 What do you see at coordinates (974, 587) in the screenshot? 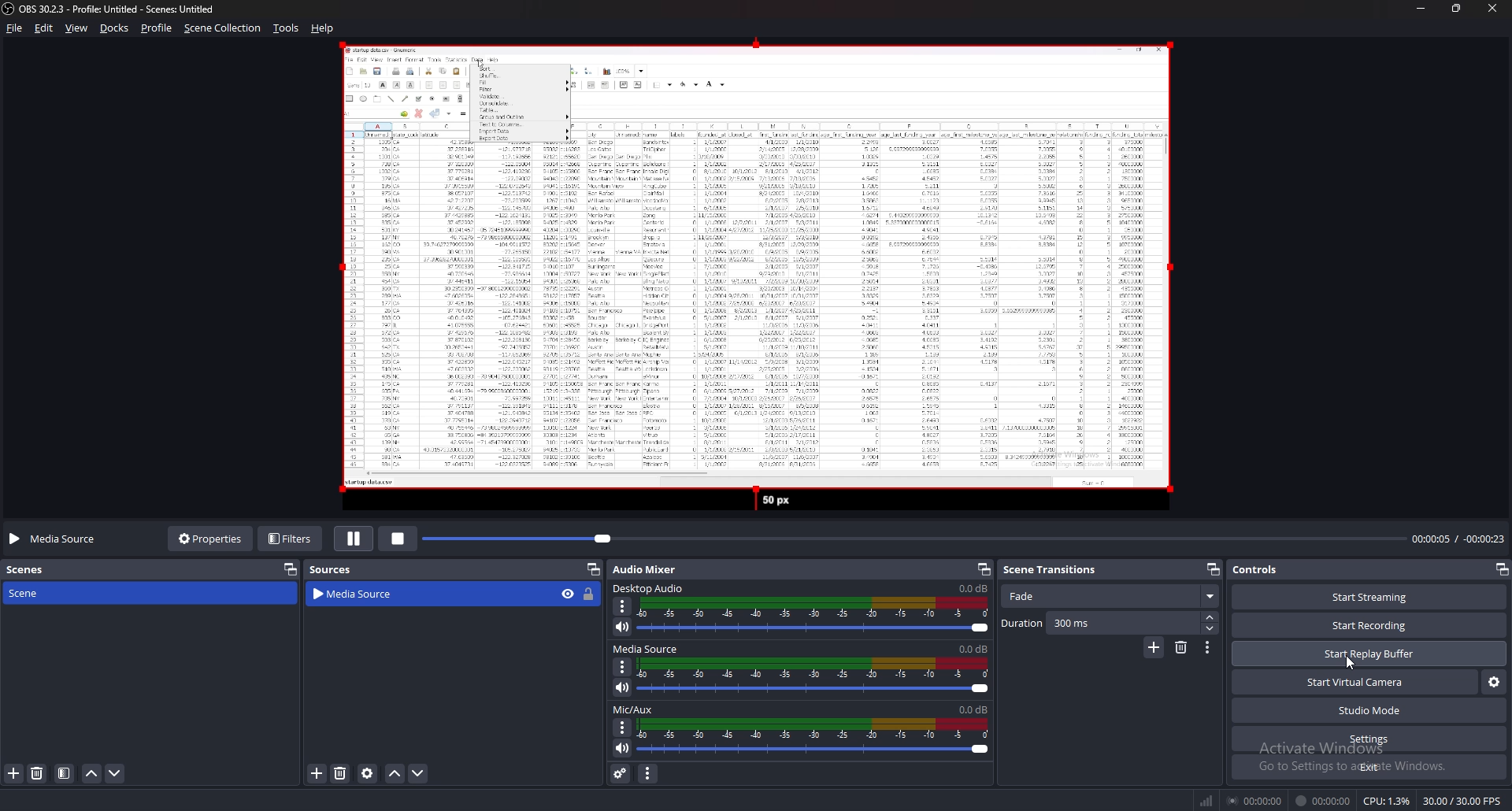
I see `0.0db` at bounding box center [974, 587].